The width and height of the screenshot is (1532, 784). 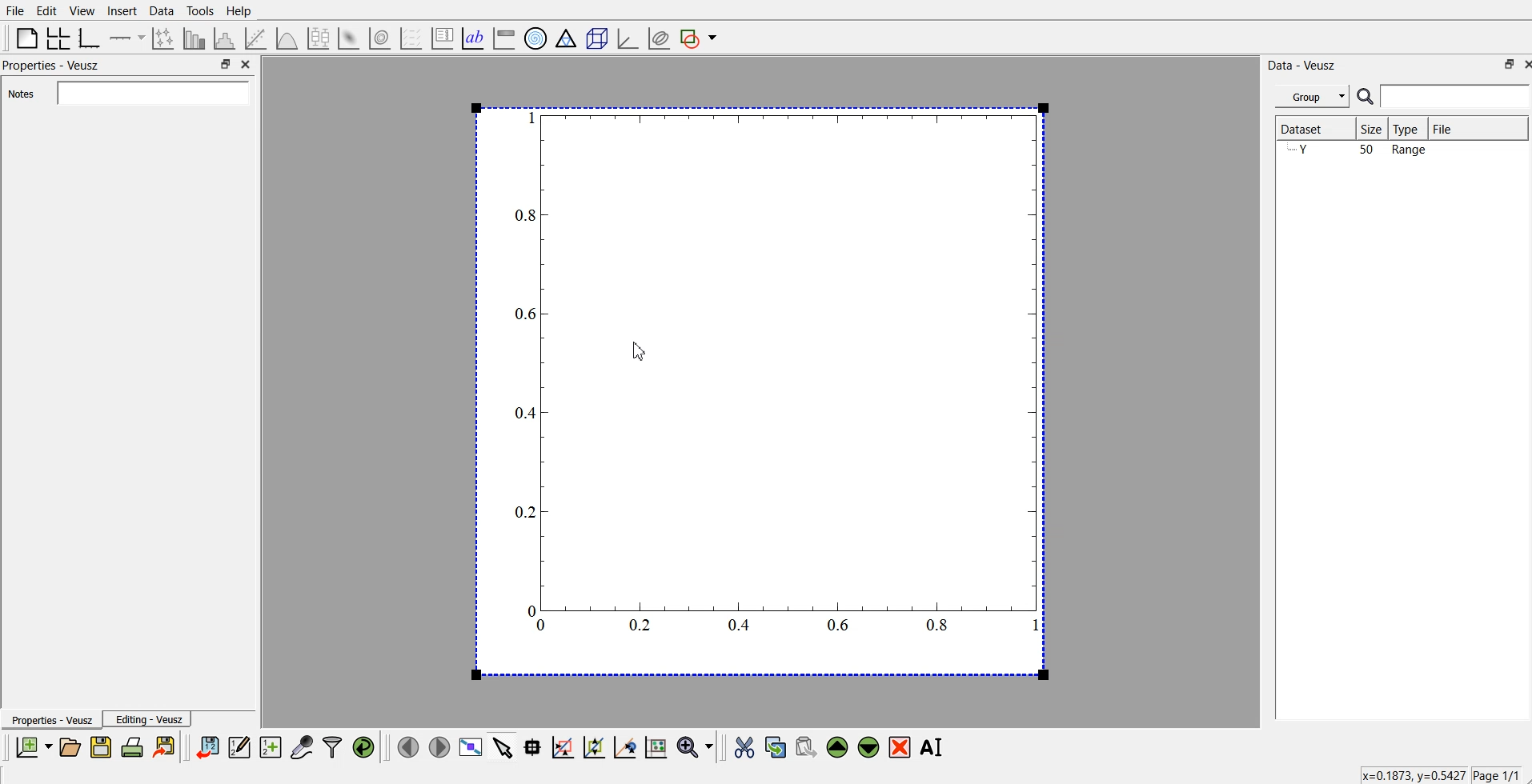 What do you see at coordinates (122, 10) in the screenshot?
I see `Insert` at bounding box center [122, 10].